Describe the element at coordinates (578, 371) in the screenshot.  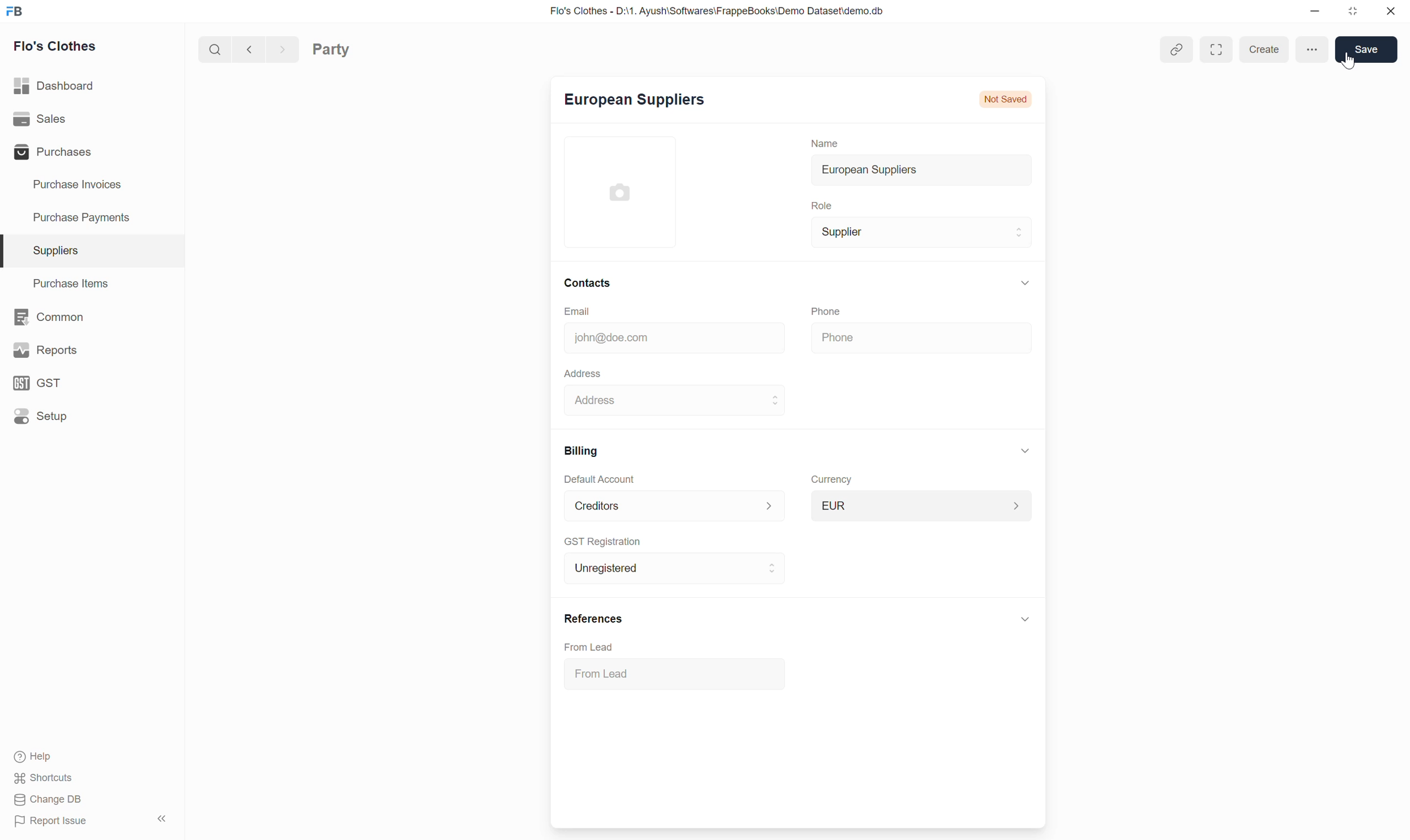
I see `Address` at that location.